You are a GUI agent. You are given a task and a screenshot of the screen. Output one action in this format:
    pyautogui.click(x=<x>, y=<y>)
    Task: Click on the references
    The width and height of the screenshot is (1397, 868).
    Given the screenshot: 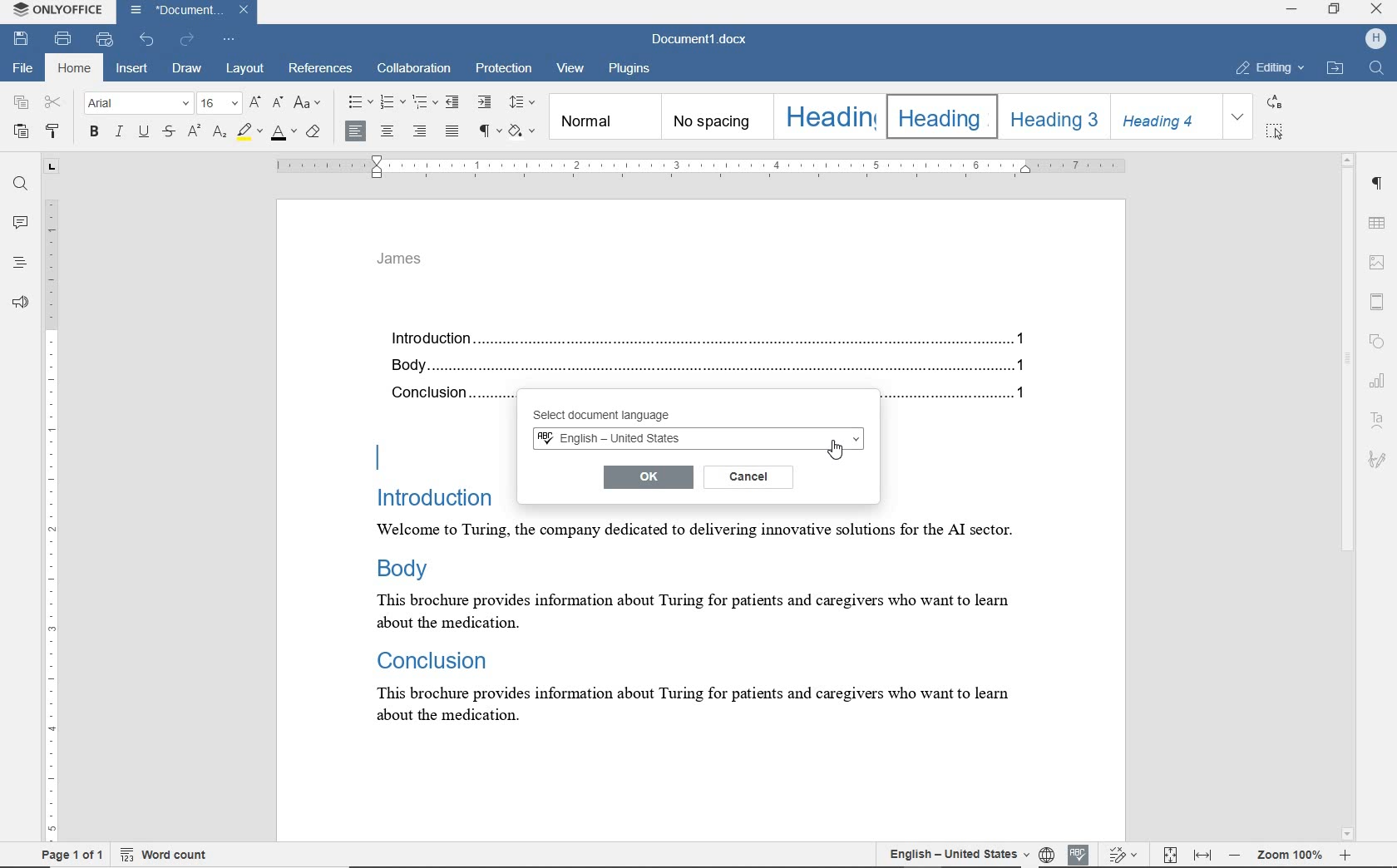 What is the action you would take?
    pyautogui.click(x=322, y=71)
    